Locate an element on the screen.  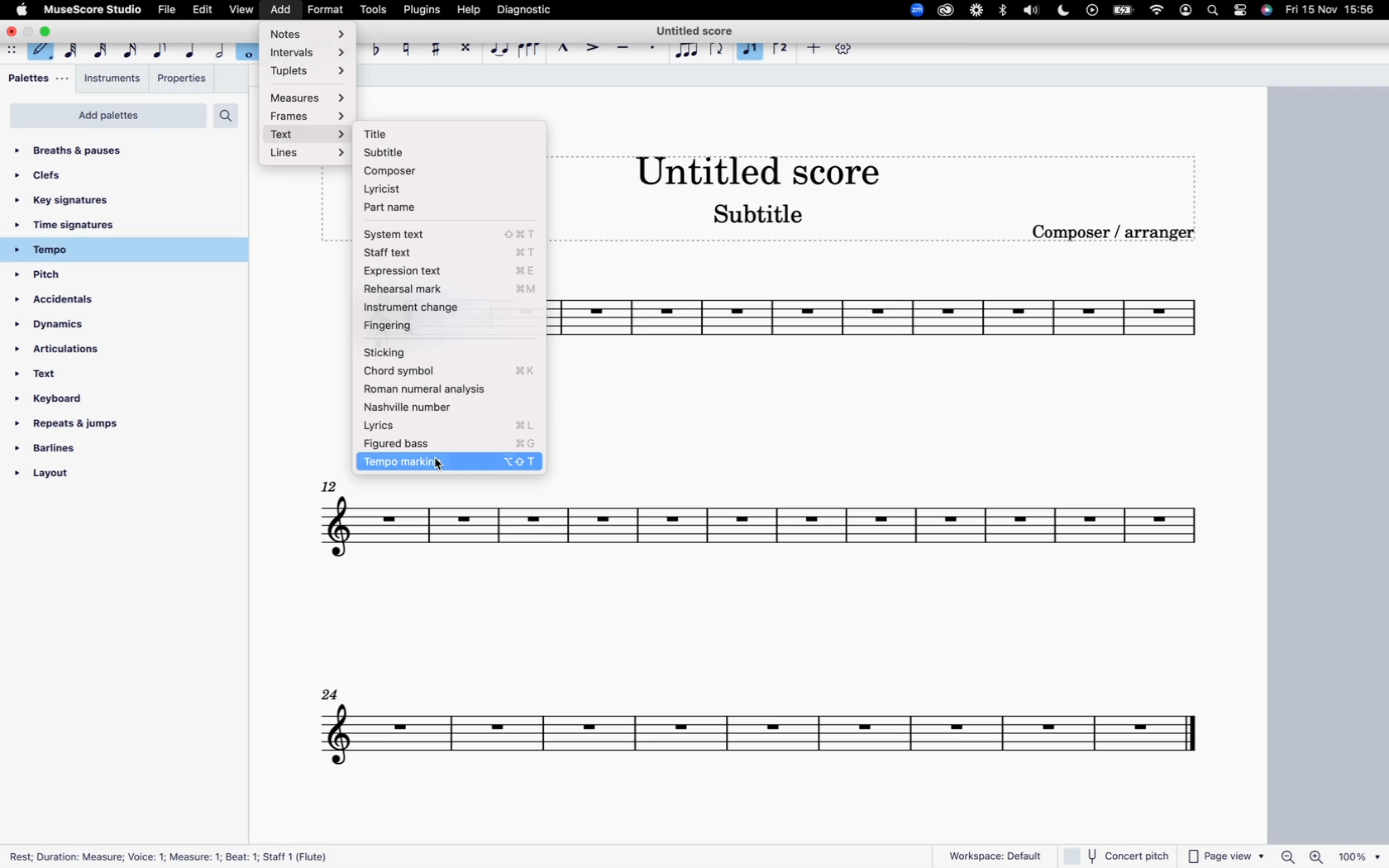
toggle double sharp is located at coordinates (465, 48).